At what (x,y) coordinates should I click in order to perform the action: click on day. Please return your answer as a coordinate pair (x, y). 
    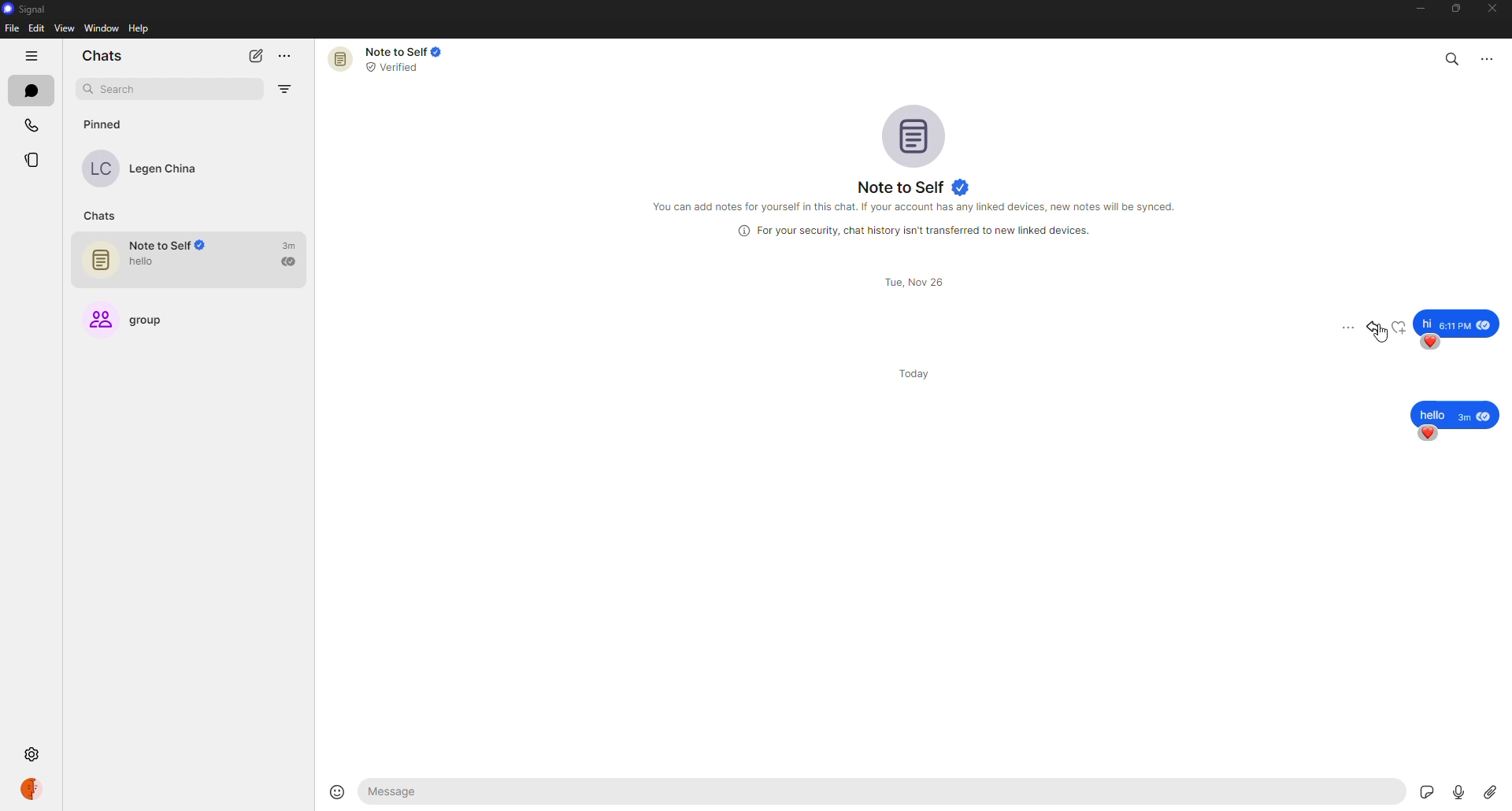
    Looking at the image, I should click on (920, 372).